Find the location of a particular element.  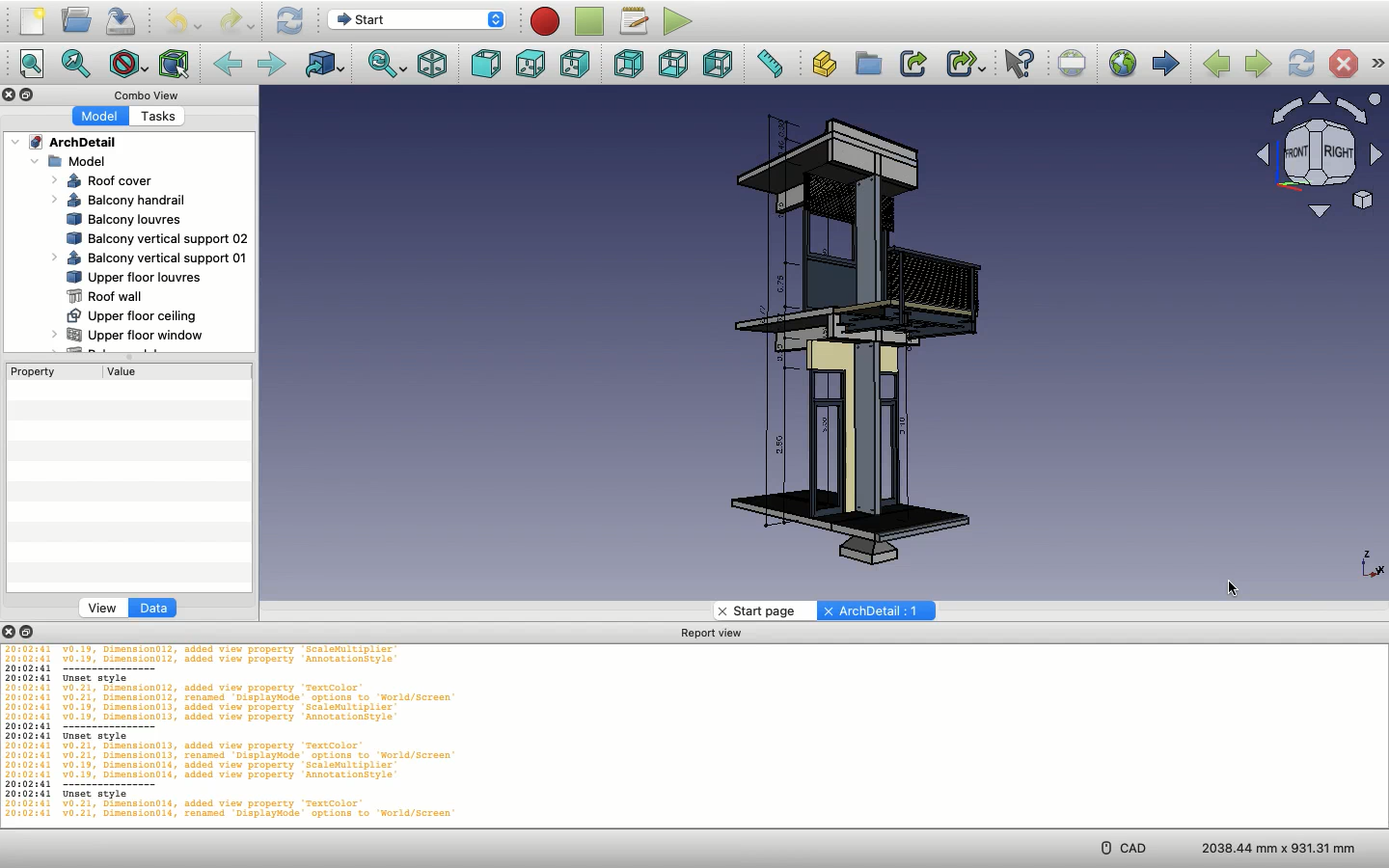

Balcony handrail is located at coordinates (119, 201).